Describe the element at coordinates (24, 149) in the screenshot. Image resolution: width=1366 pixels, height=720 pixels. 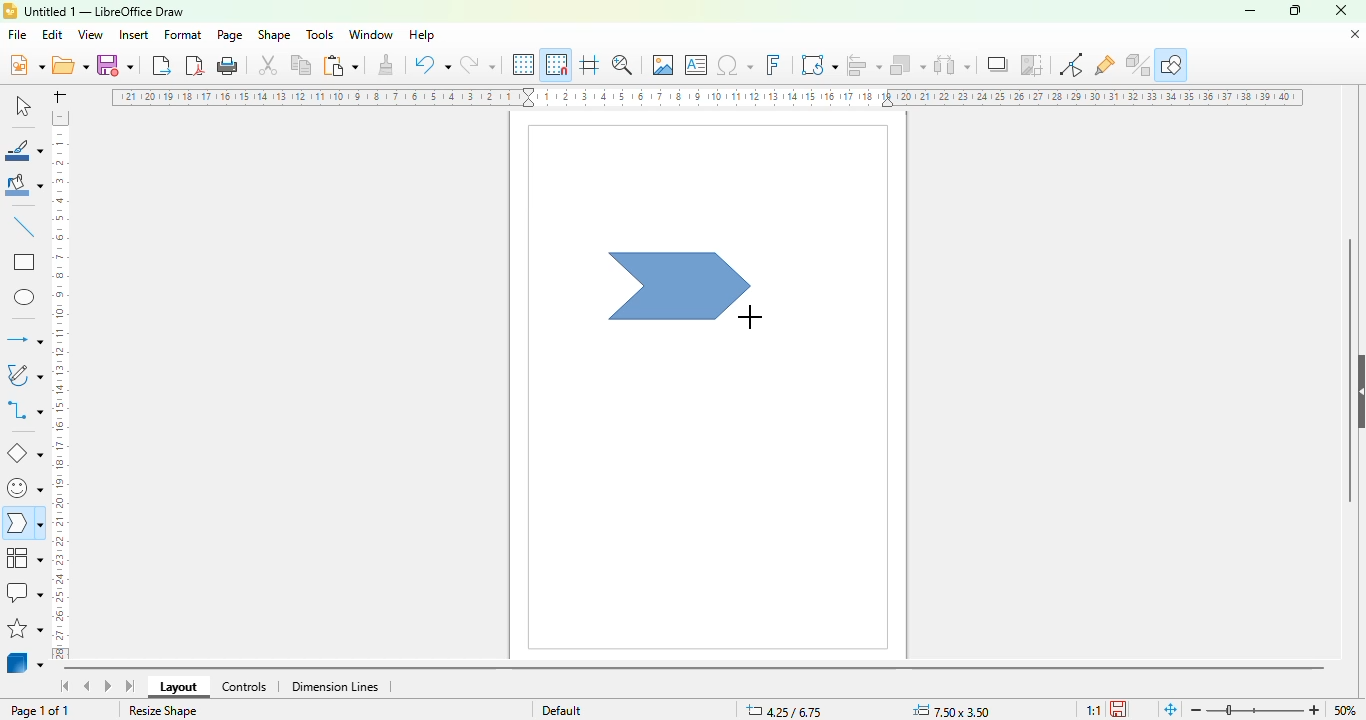
I see `line color` at that location.